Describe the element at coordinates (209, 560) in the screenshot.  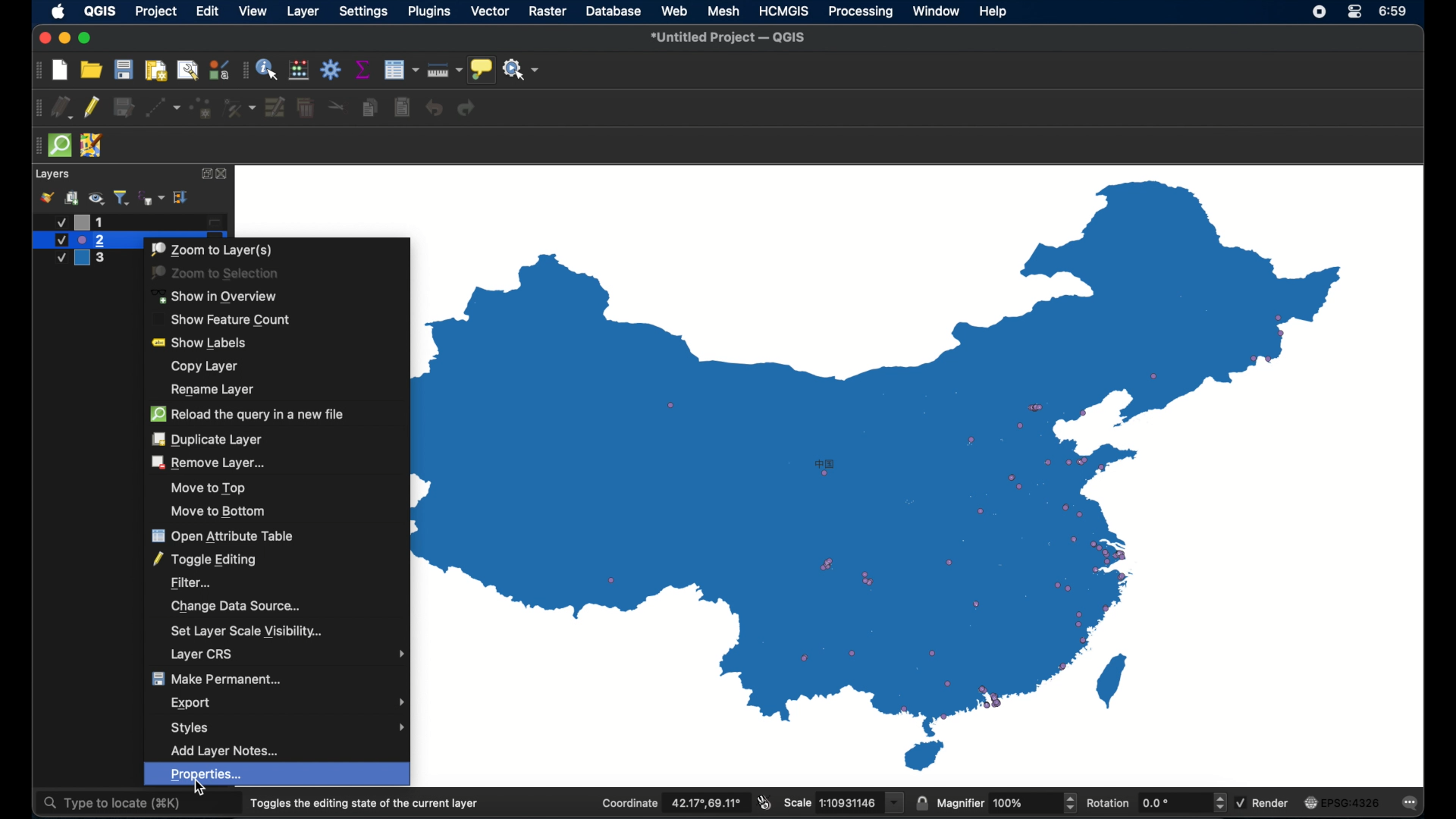
I see `toggle editing` at that location.